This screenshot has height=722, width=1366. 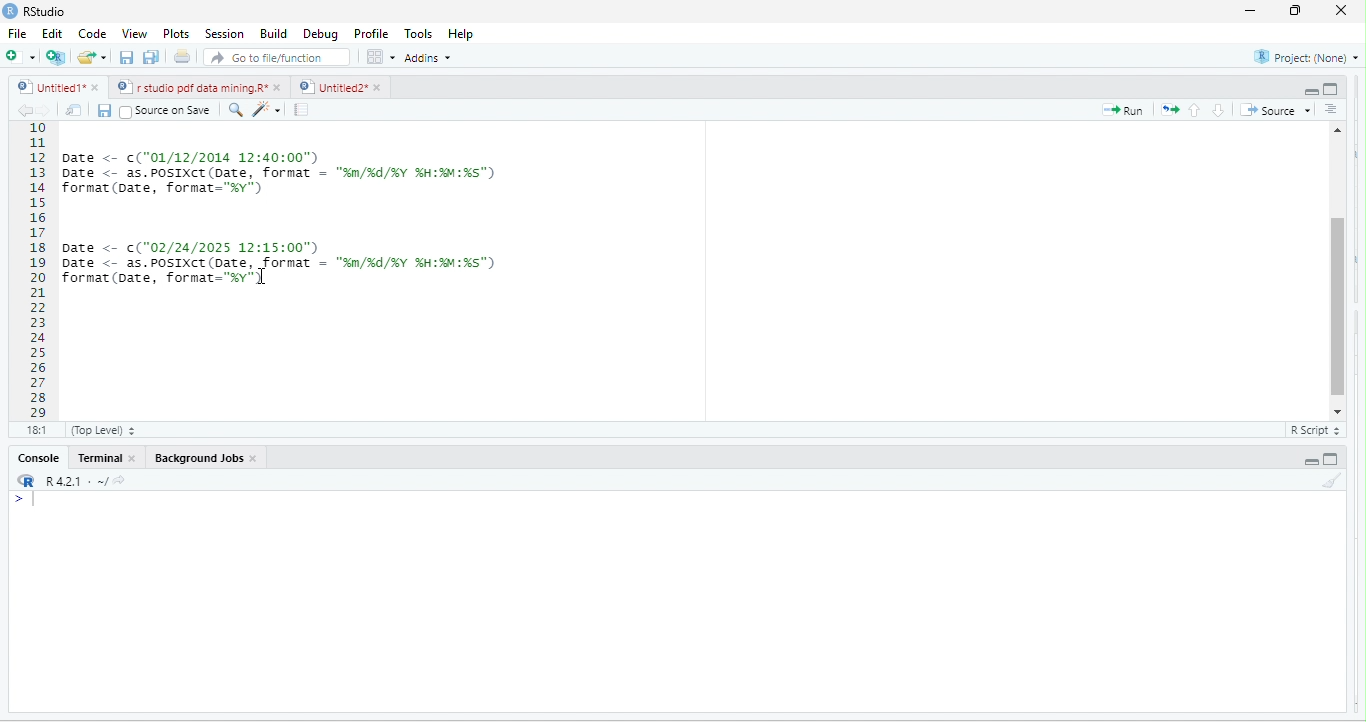 I want to click on 10
11
12
13
14
15
16
17
18
19
20
21
22
23
24
25
26
27
28
29, so click(x=30, y=270).